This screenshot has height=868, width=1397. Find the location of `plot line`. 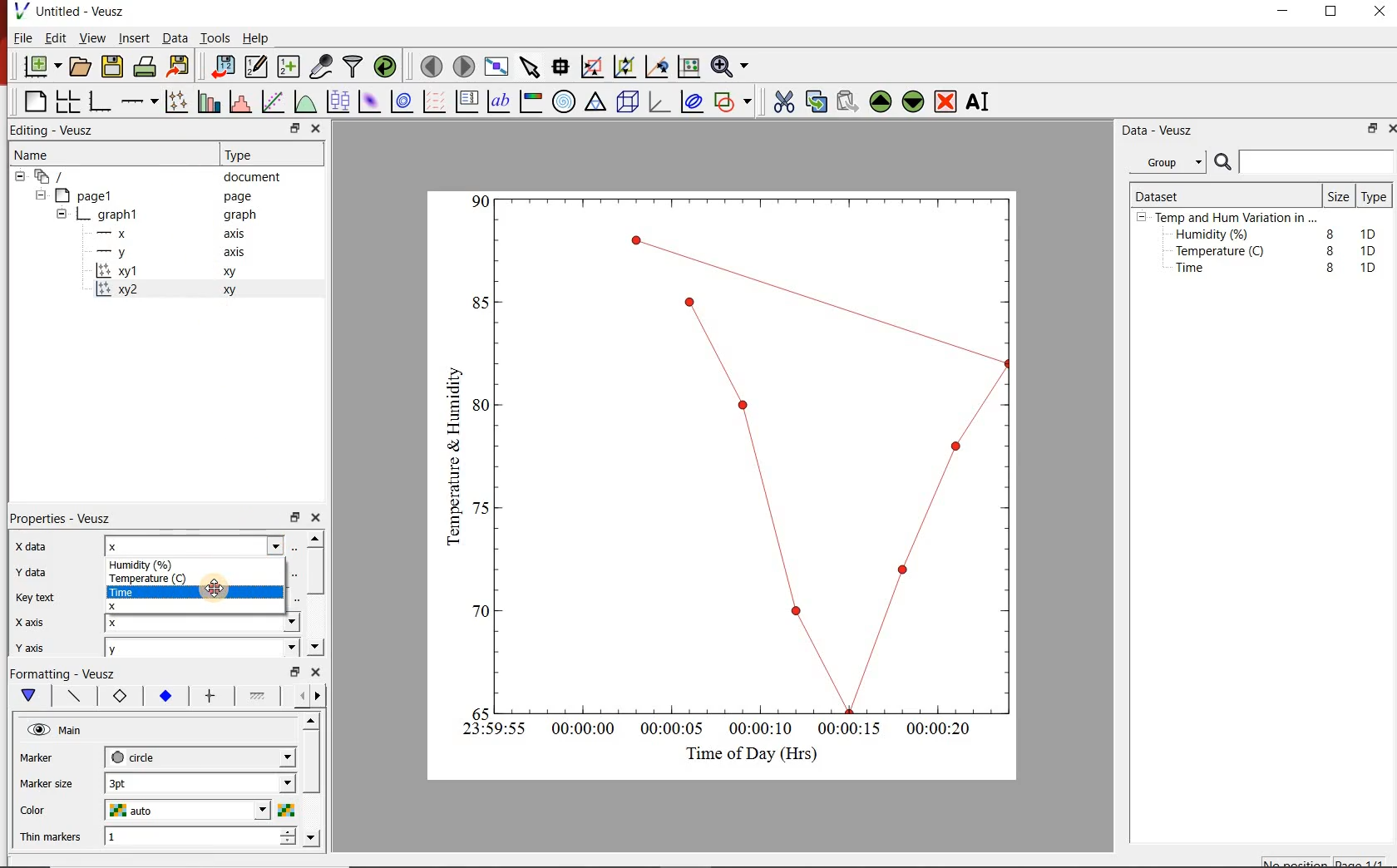

plot line is located at coordinates (75, 697).